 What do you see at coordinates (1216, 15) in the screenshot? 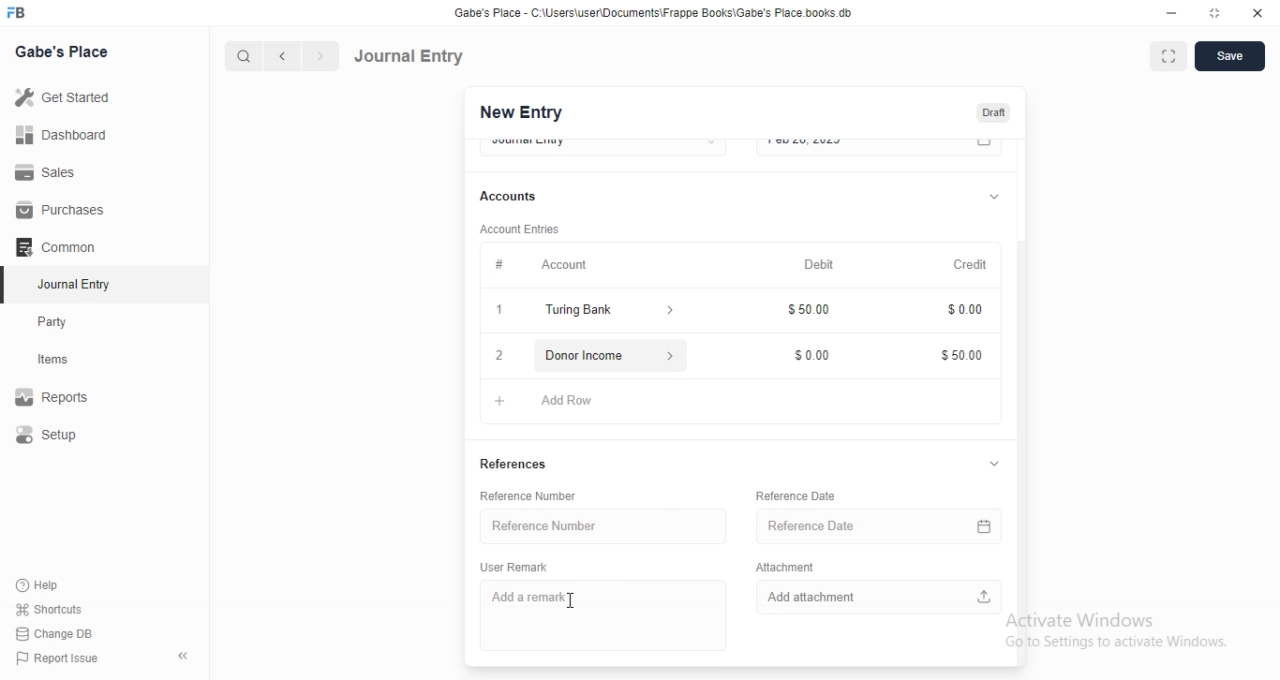
I see `restore down` at bounding box center [1216, 15].